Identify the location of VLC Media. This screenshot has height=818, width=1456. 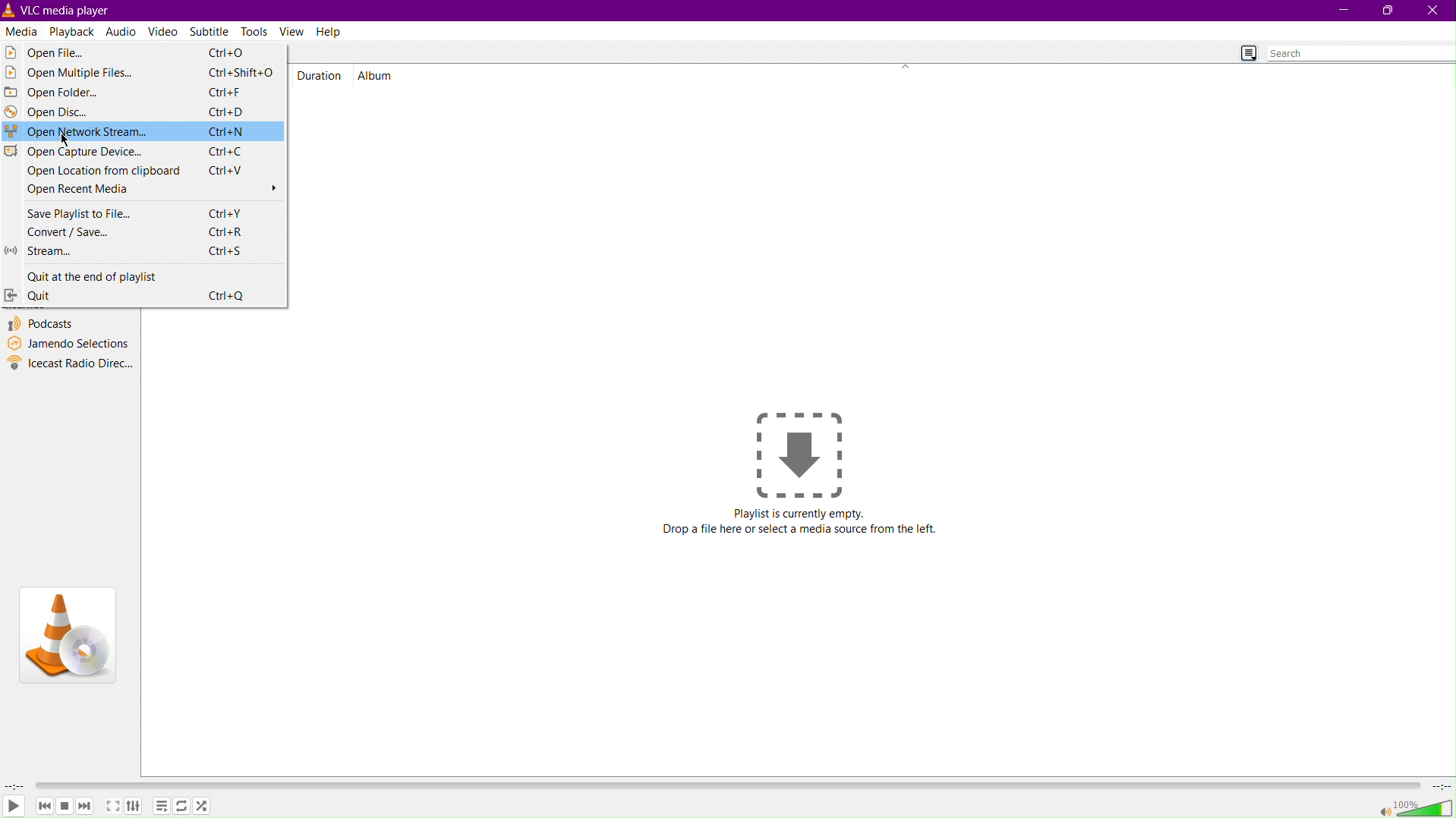
(71, 9).